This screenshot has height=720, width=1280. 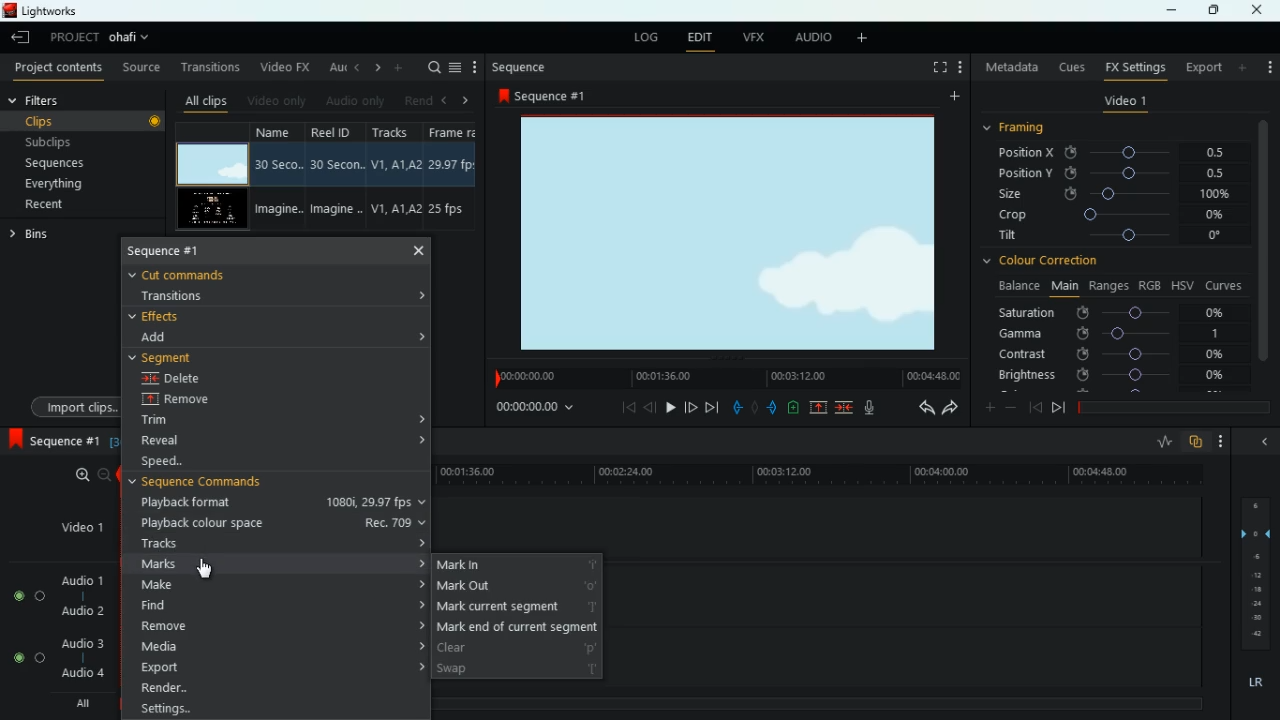 What do you see at coordinates (950, 408) in the screenshot?
I see `forward` at bounding box center [950, 408].